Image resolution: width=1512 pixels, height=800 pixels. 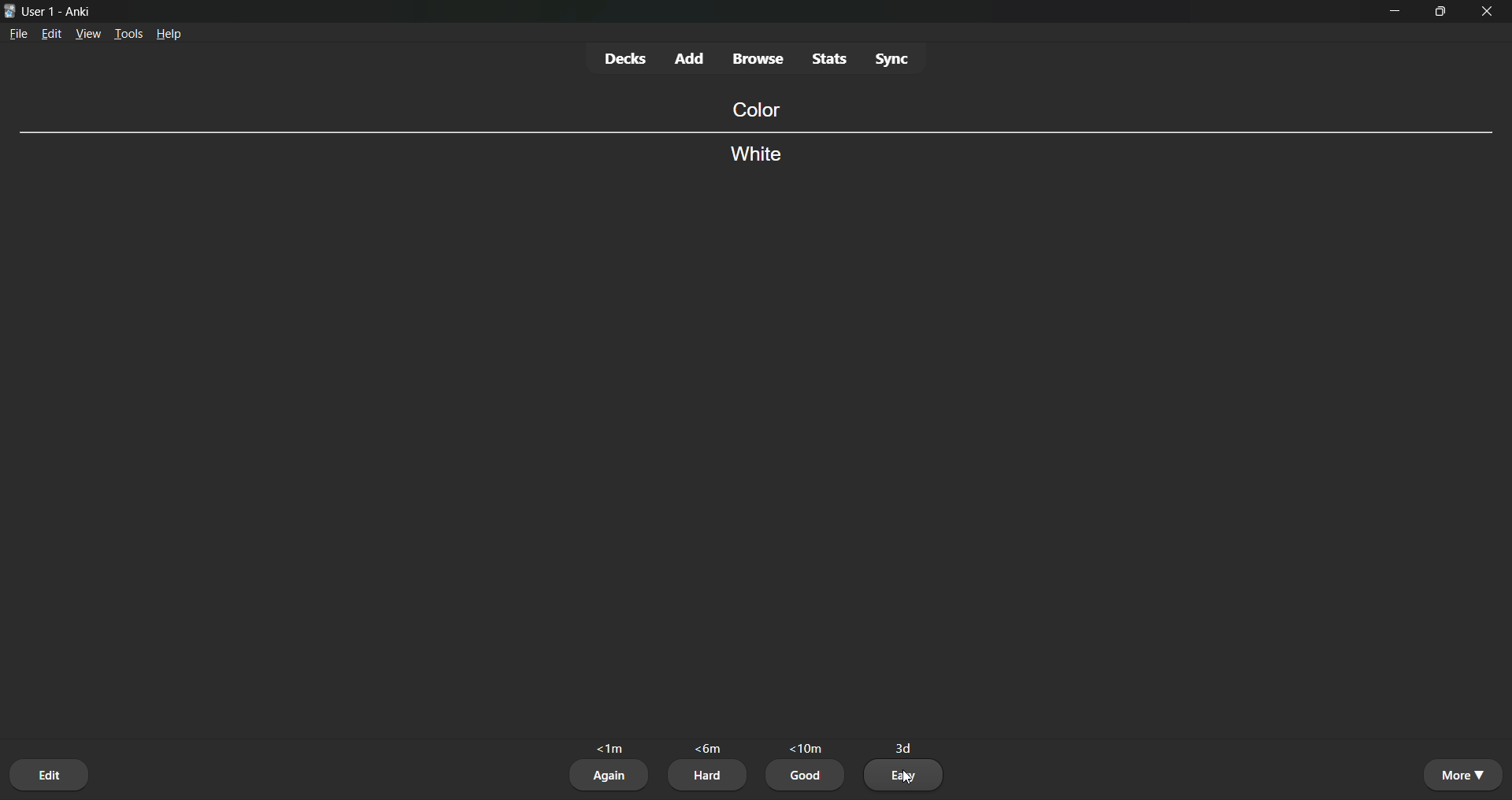 What do you see at coordinates (1397, 17) in the screenshot?
I see `minimize` at bounding box center [1397, 17].